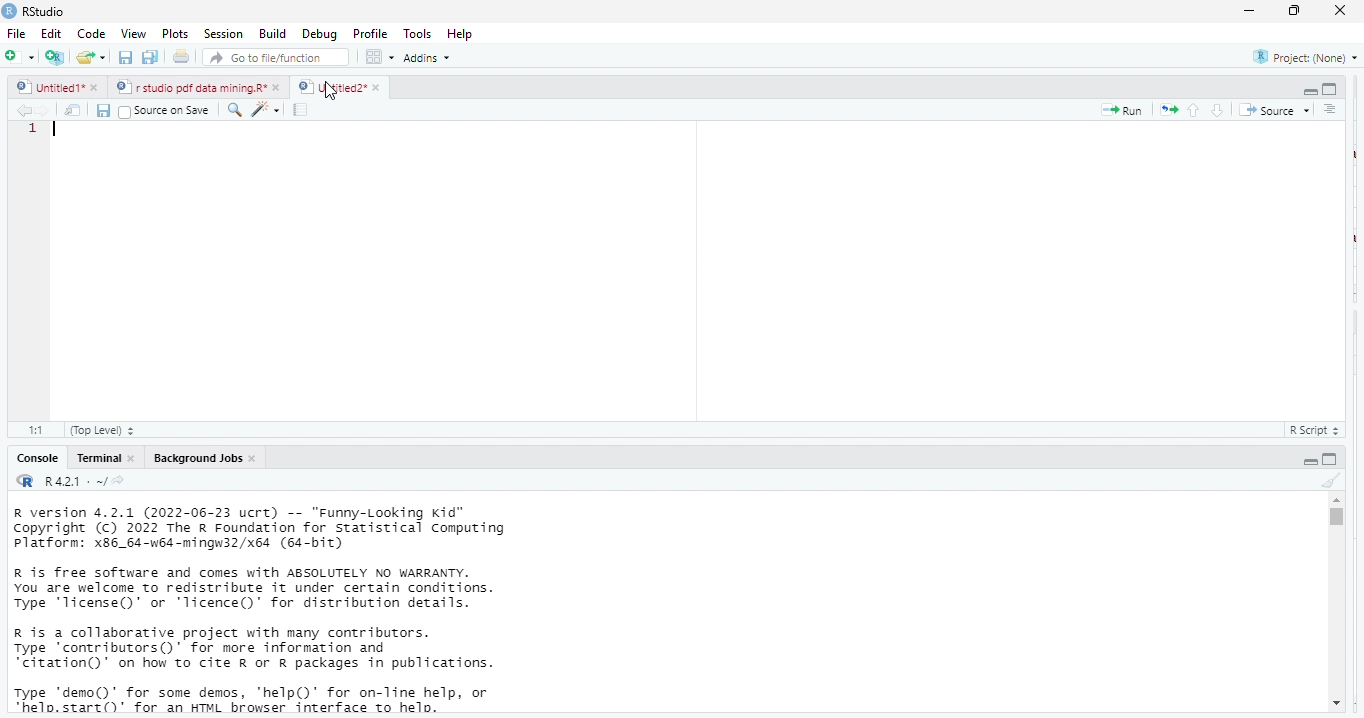 The image size is (1364, 718). I want to click on session, so click(222, 34).